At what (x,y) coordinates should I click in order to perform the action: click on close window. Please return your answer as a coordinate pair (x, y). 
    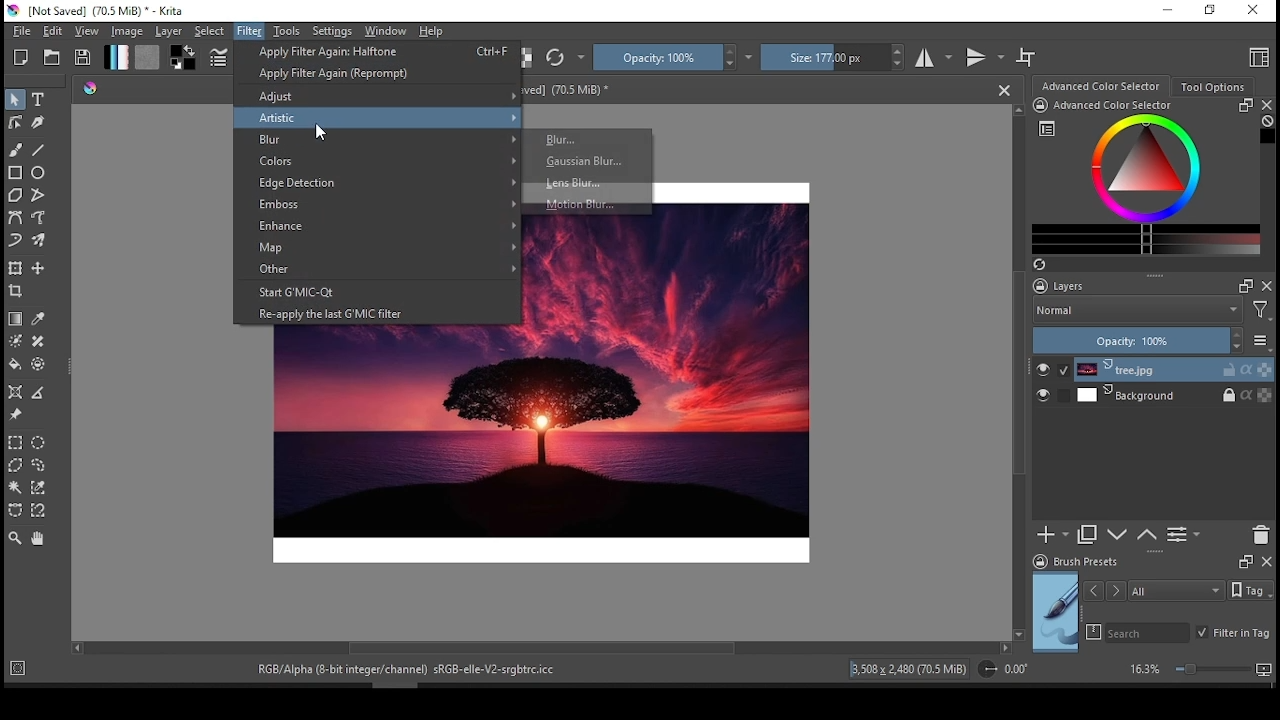
    Looking at the image, I should click on (1251, 12).